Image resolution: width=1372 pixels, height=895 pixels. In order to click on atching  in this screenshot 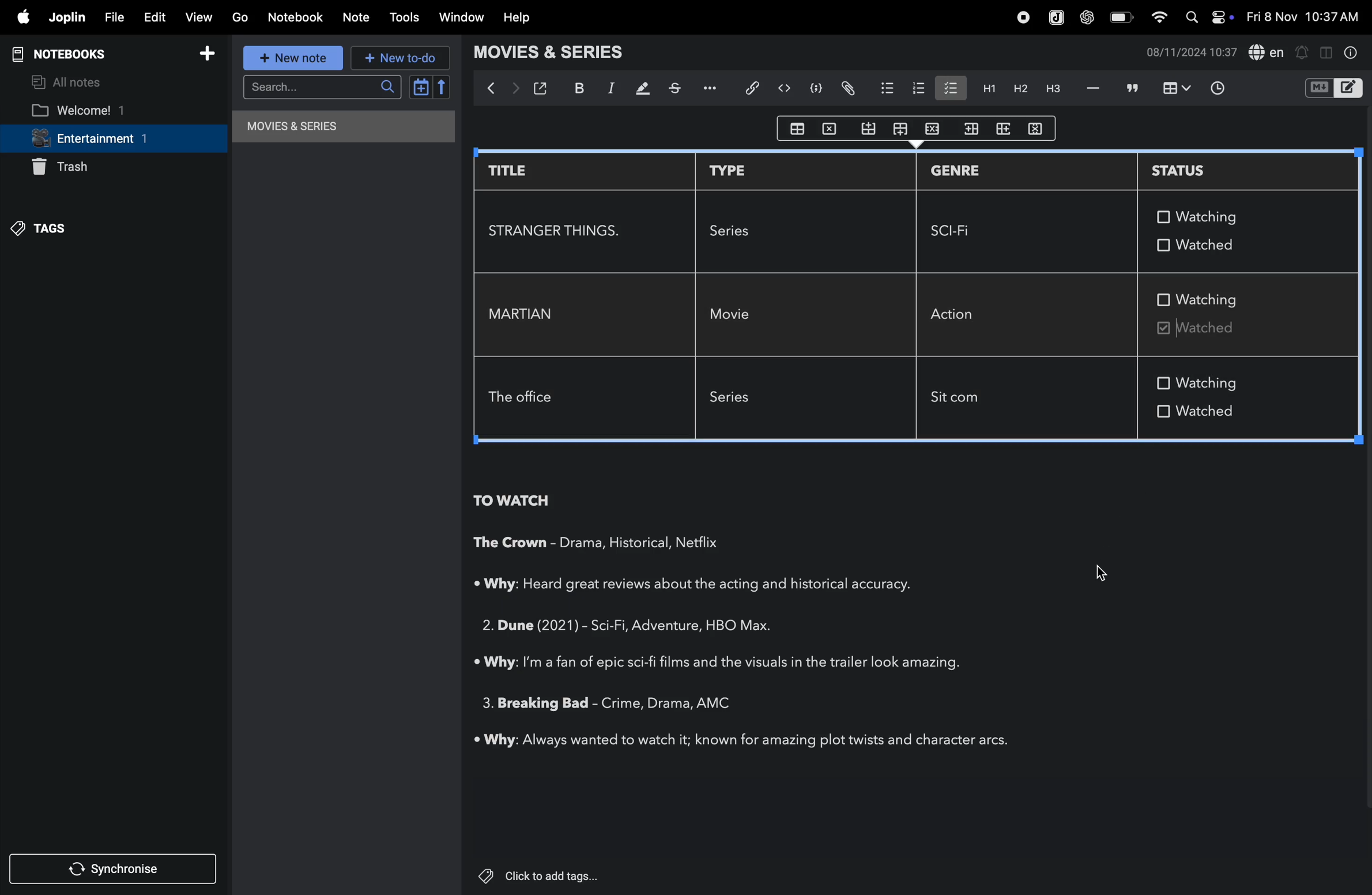, I will do `click(1208, 216)`.